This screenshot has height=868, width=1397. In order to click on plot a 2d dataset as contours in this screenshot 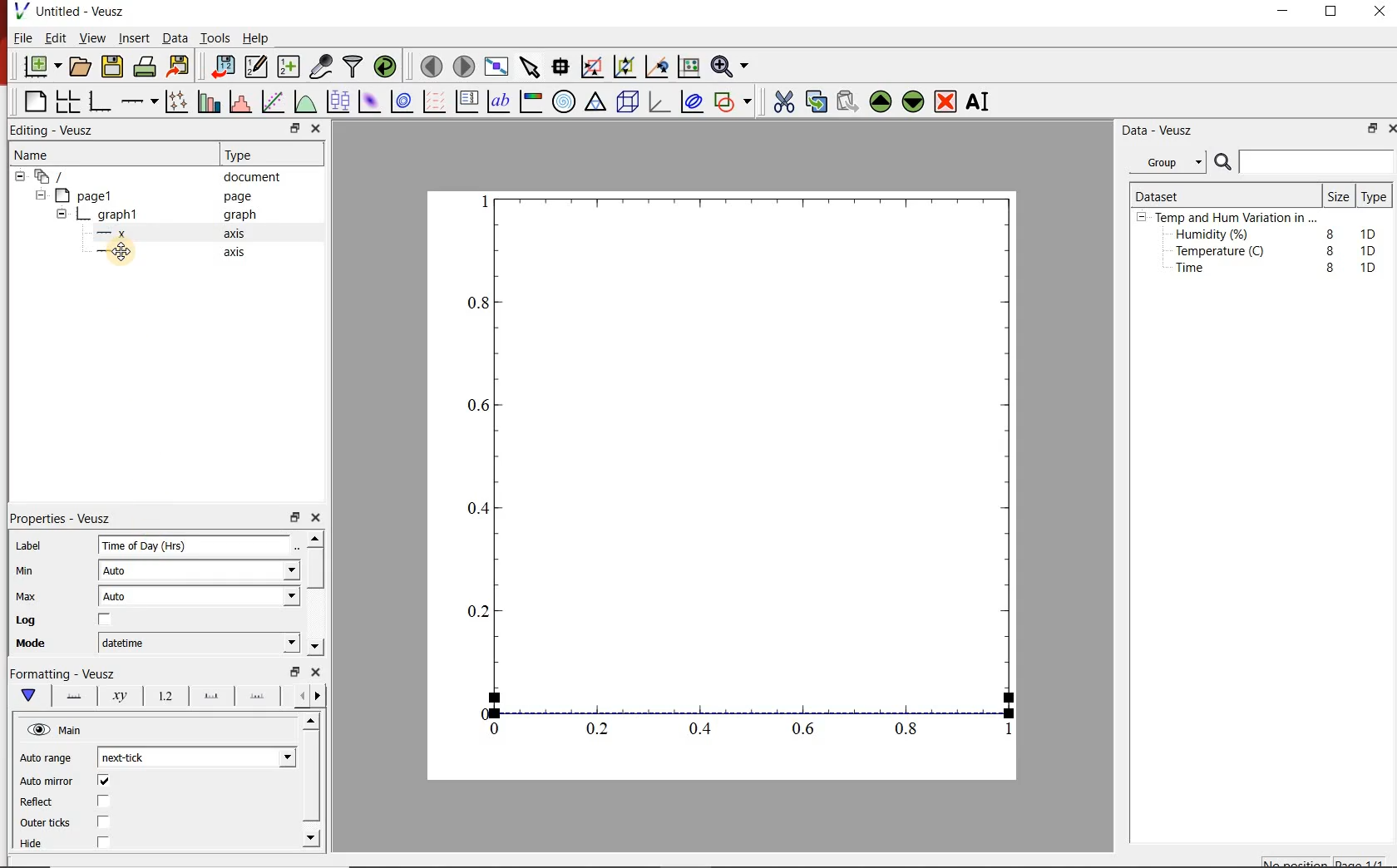, I will do `click(406, 102)`.